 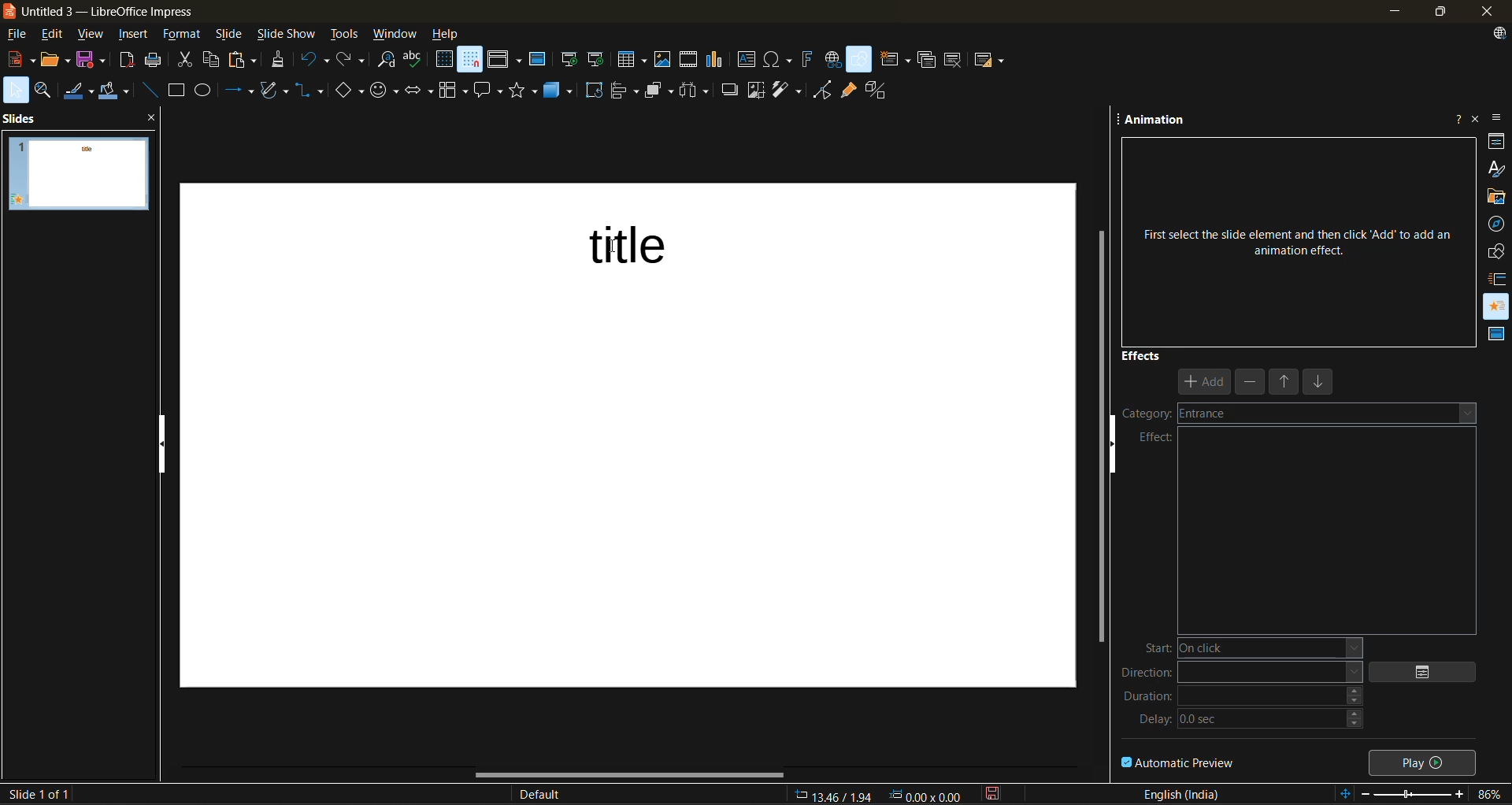 I want to click on export directly as PDF, so click(x=128, y=61).